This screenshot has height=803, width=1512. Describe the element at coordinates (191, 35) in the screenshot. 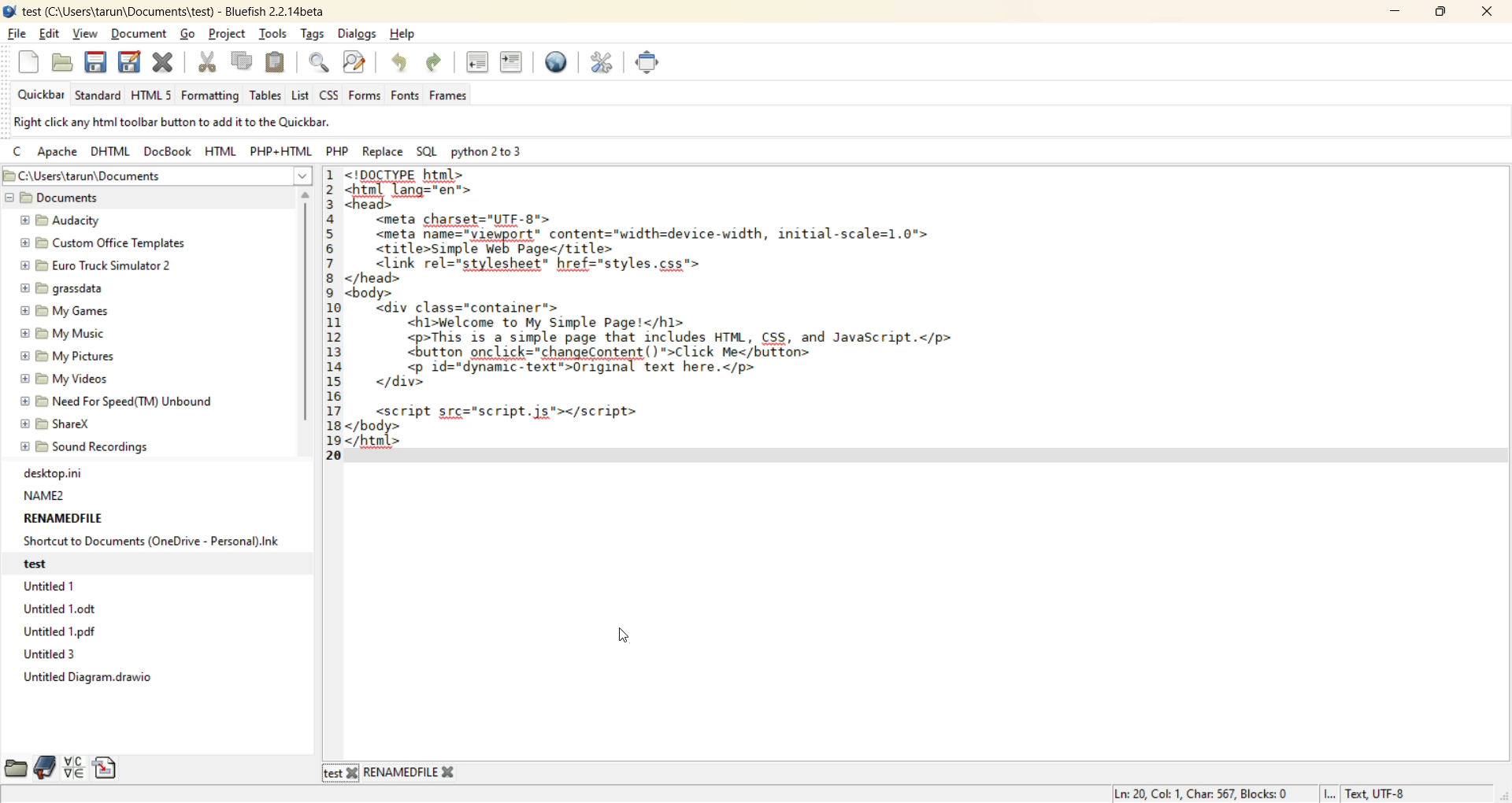

I see `go` at that location.